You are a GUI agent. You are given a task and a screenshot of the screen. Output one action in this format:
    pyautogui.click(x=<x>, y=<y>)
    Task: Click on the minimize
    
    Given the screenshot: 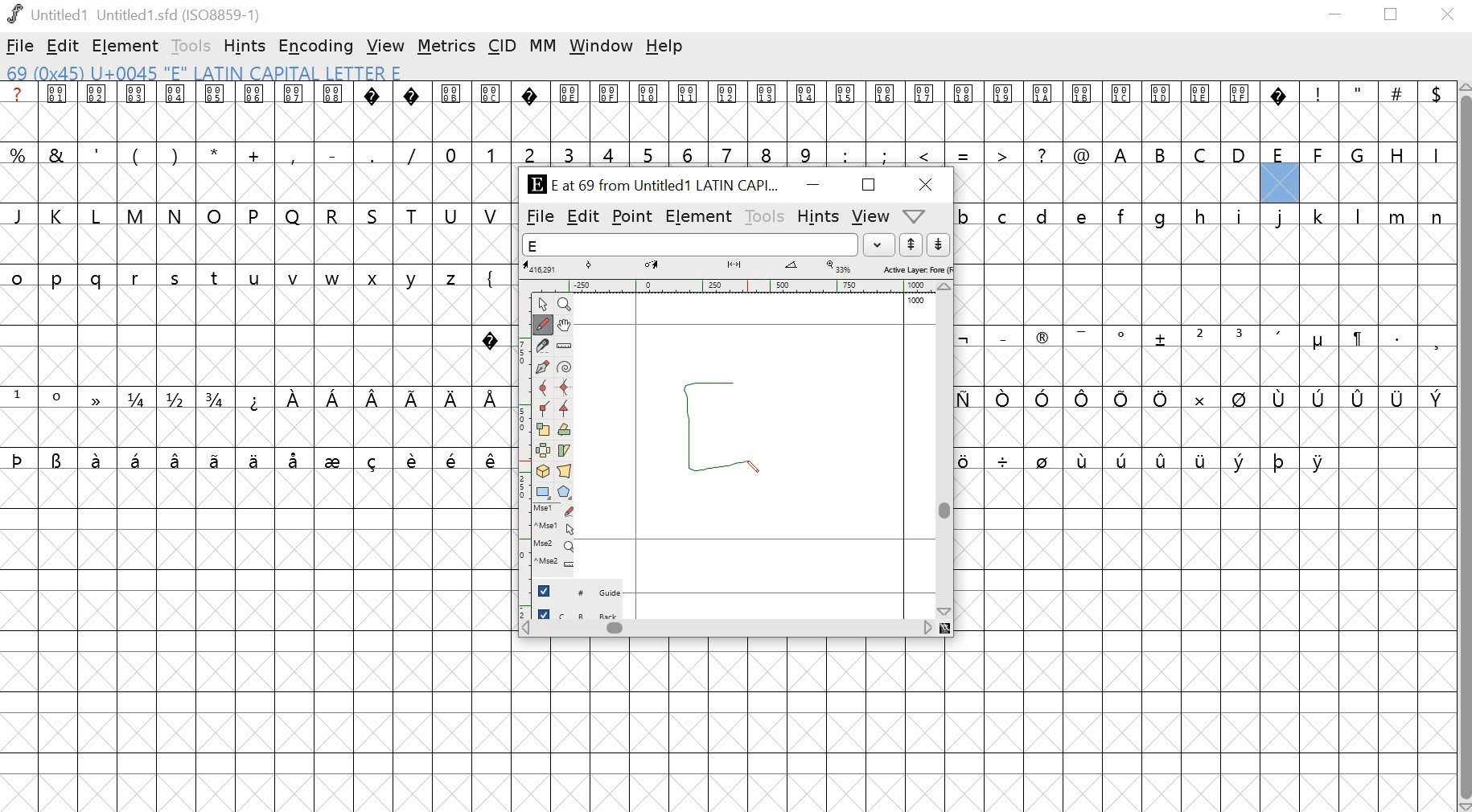 What is the action you would take?
    pyautogui.click(x=812, y=187)
    